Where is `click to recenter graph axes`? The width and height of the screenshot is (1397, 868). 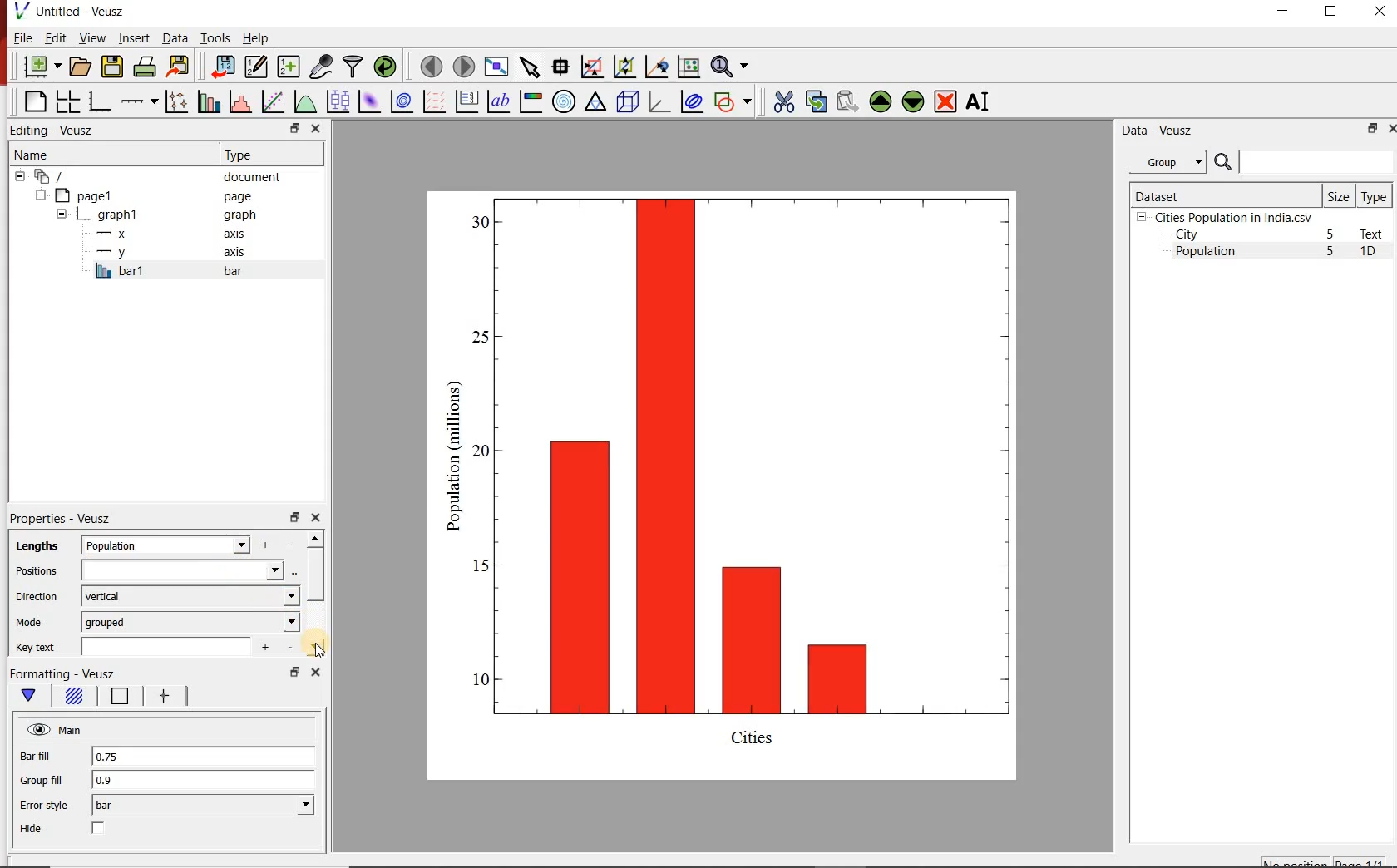
click to recenter graph axes is located at coordinates (655, 67).